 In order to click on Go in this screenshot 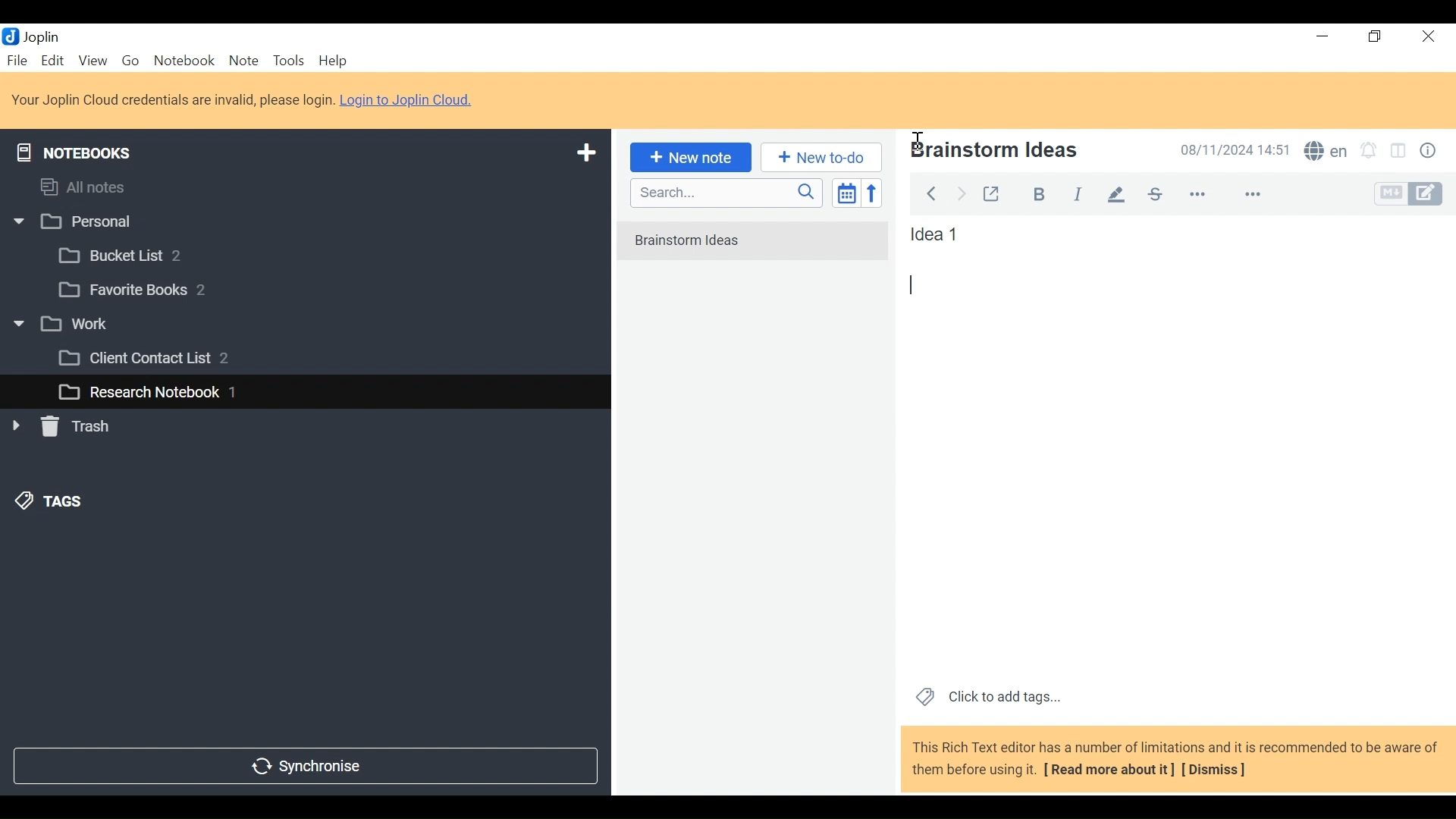, I will do `click(130, 59)`.